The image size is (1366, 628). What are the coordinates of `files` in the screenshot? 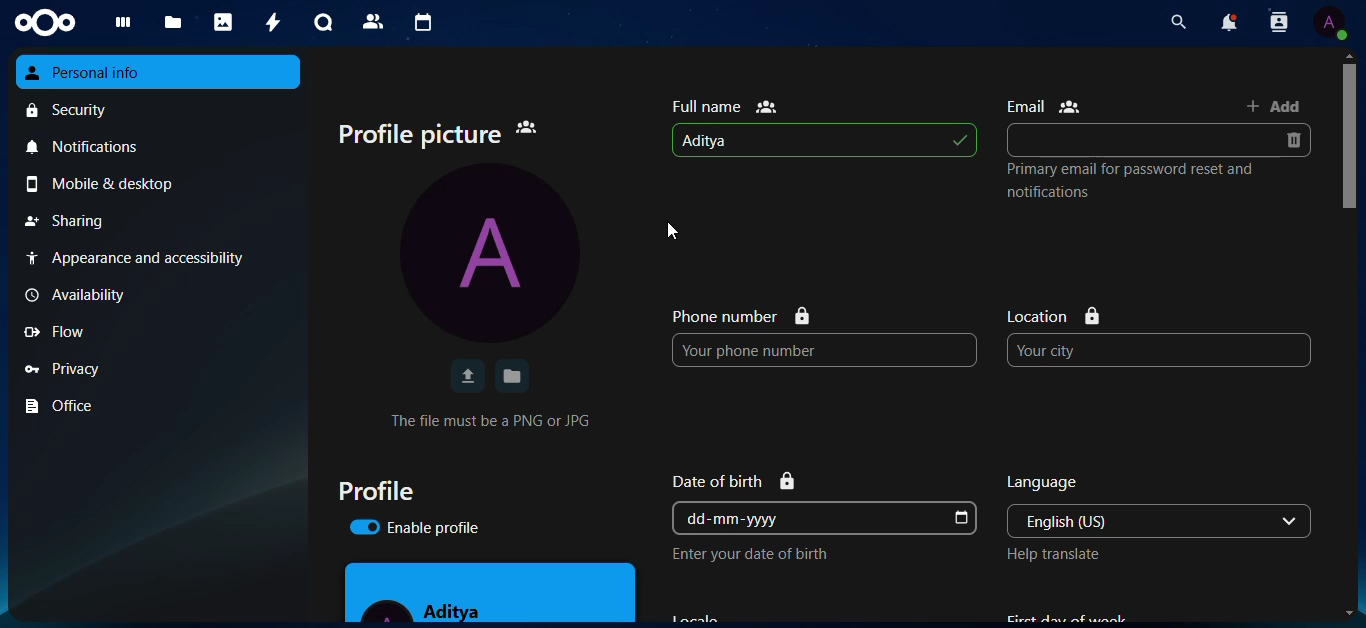 It's located at (169, 24).